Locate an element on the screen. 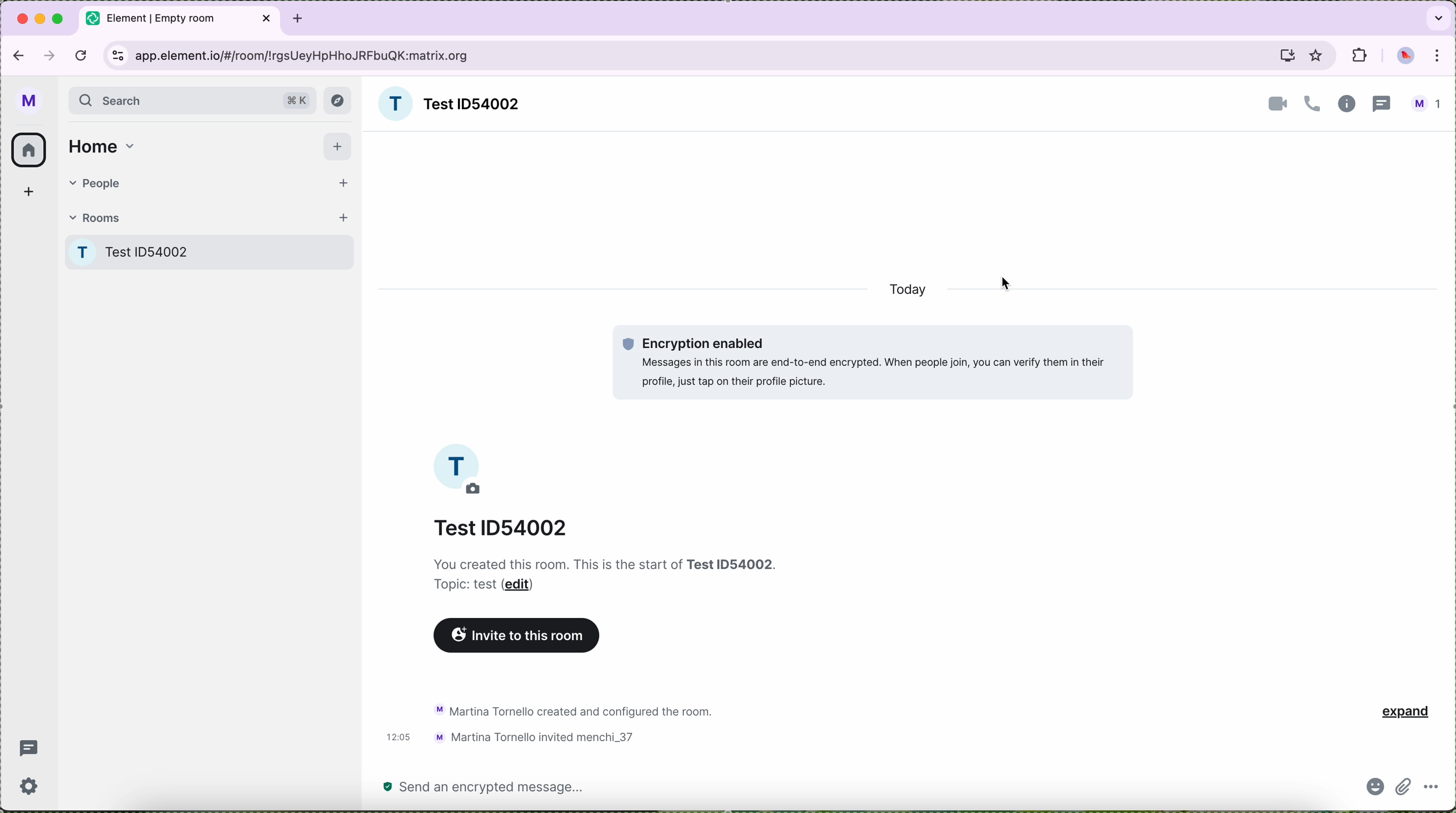 This screenshot has width=1456, height=813. extensions is located at coordinates (1359, 56).